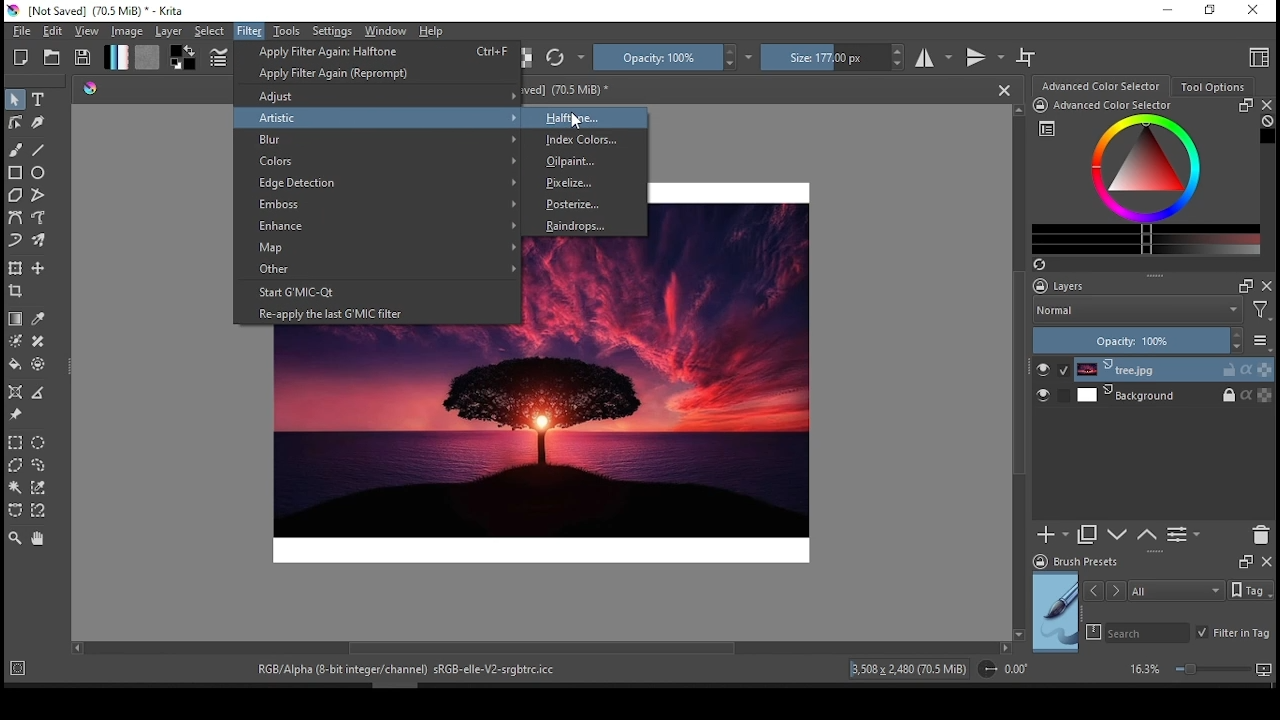 The width and height of the screenshot is (1280, 720). What do you see at coordinates (587, 139) in the screenshot?
I see `index colors` at bounding box center [587, 139].